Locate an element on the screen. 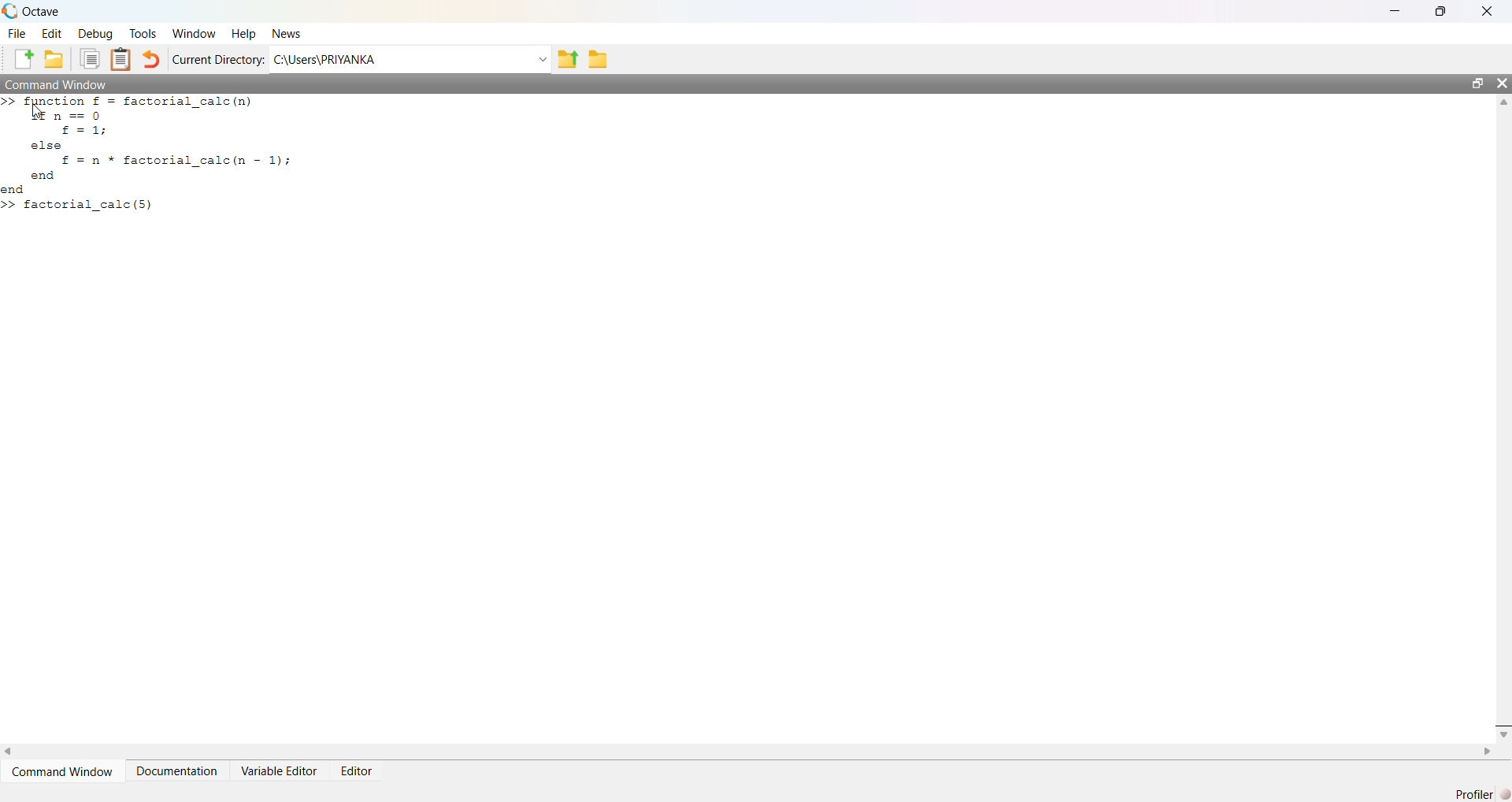 Image resolution: width=1512 pixels, height=802 pixels. edit is located at coordinates (54, 33).